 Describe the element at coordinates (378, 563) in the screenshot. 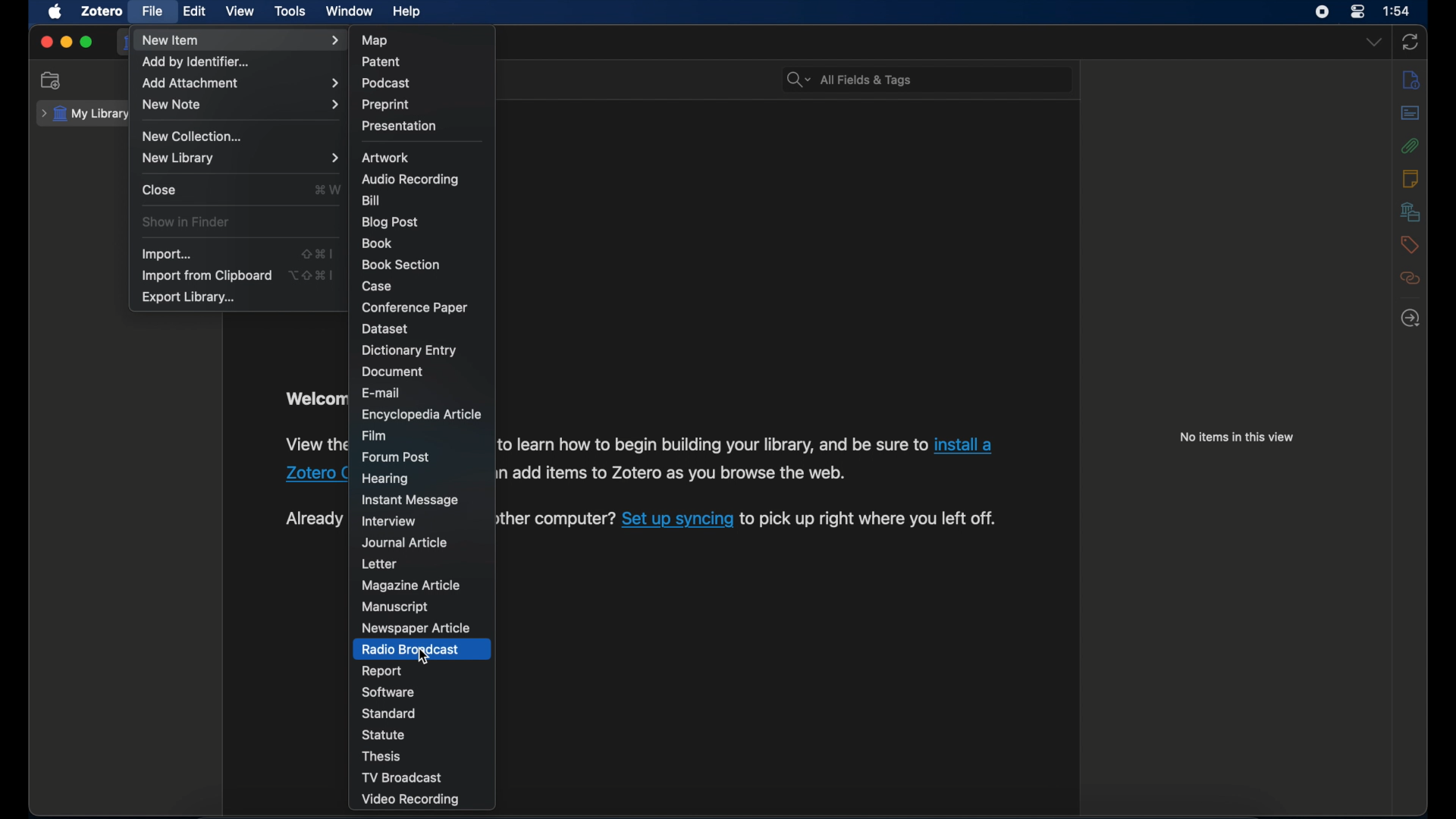

I see `letter` at that location.